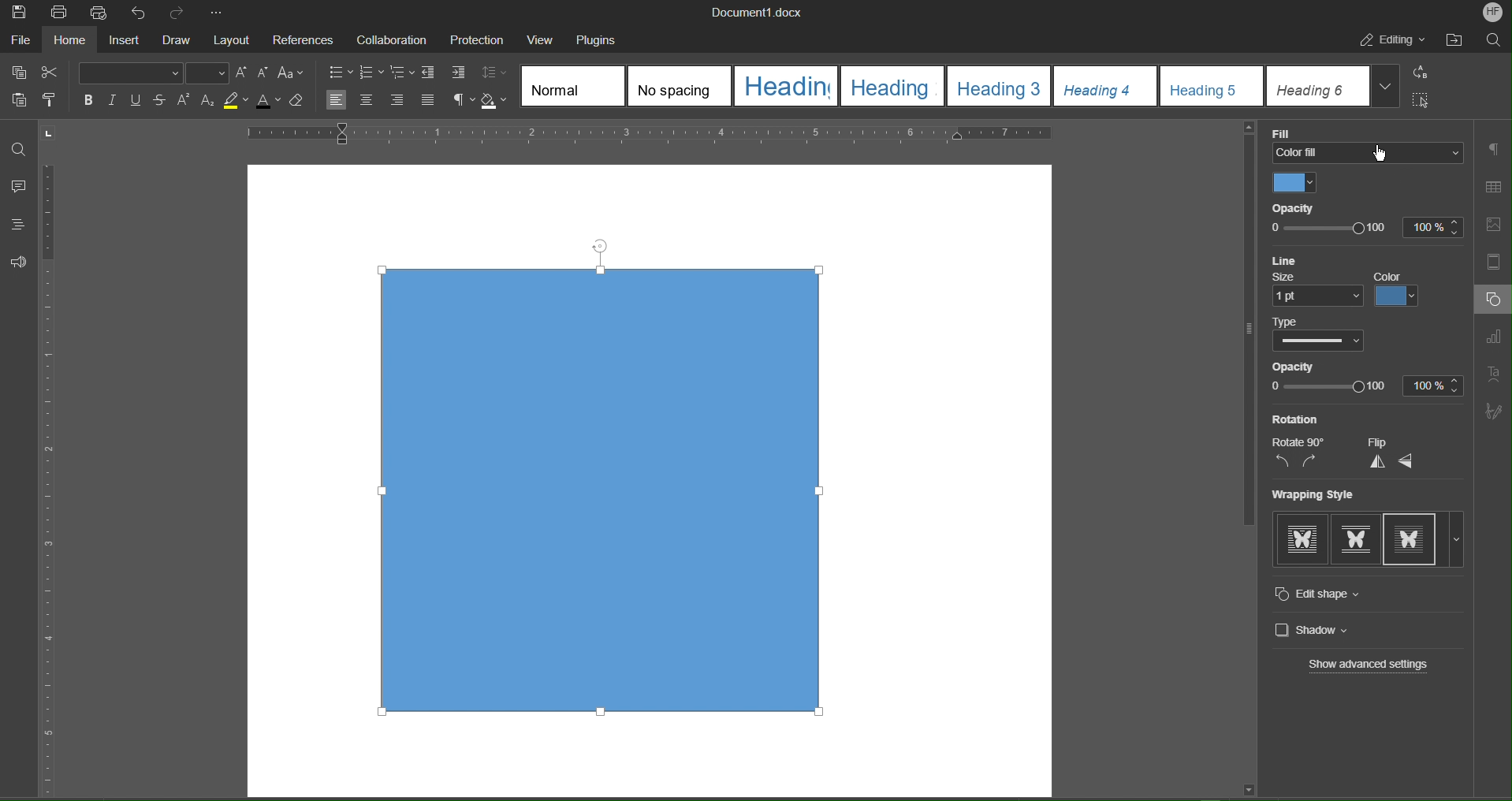  Describe the element at coordinates (54, 73) in the screenshot. I see `Cut` at that location.